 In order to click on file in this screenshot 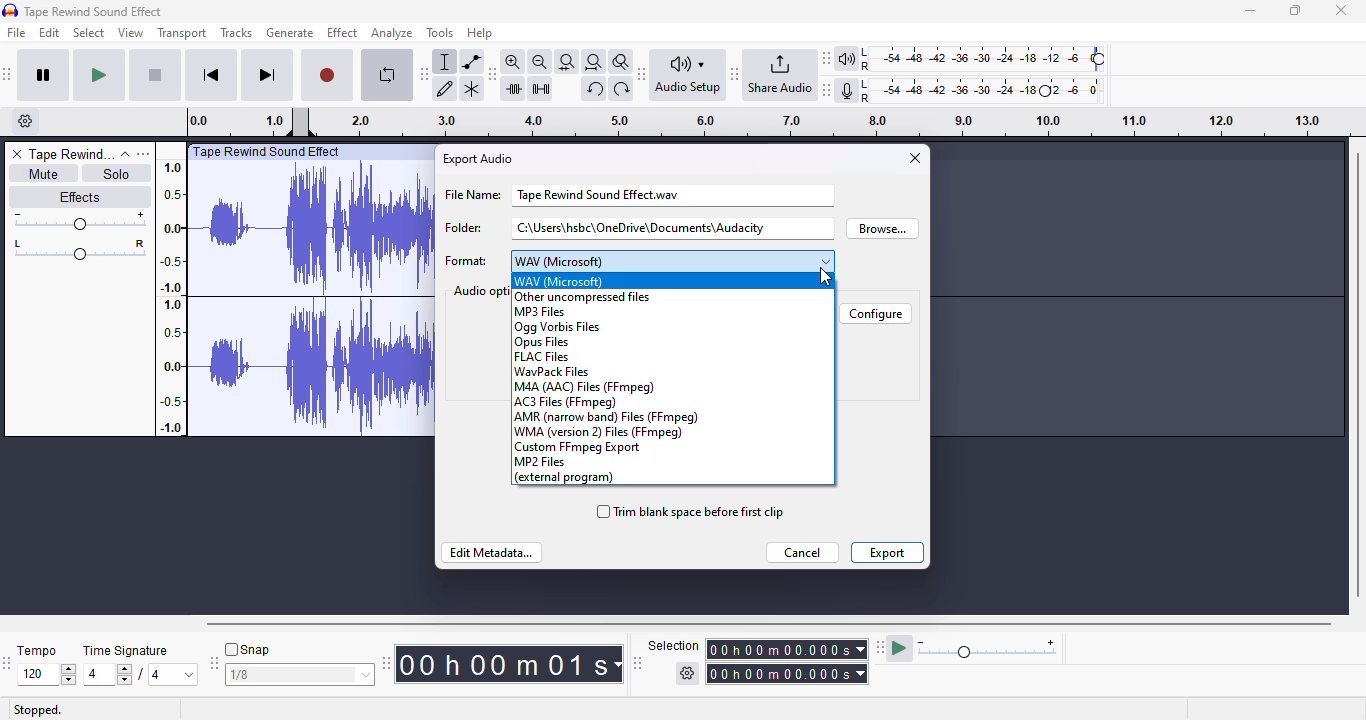, I will do `click(17, 32)`.